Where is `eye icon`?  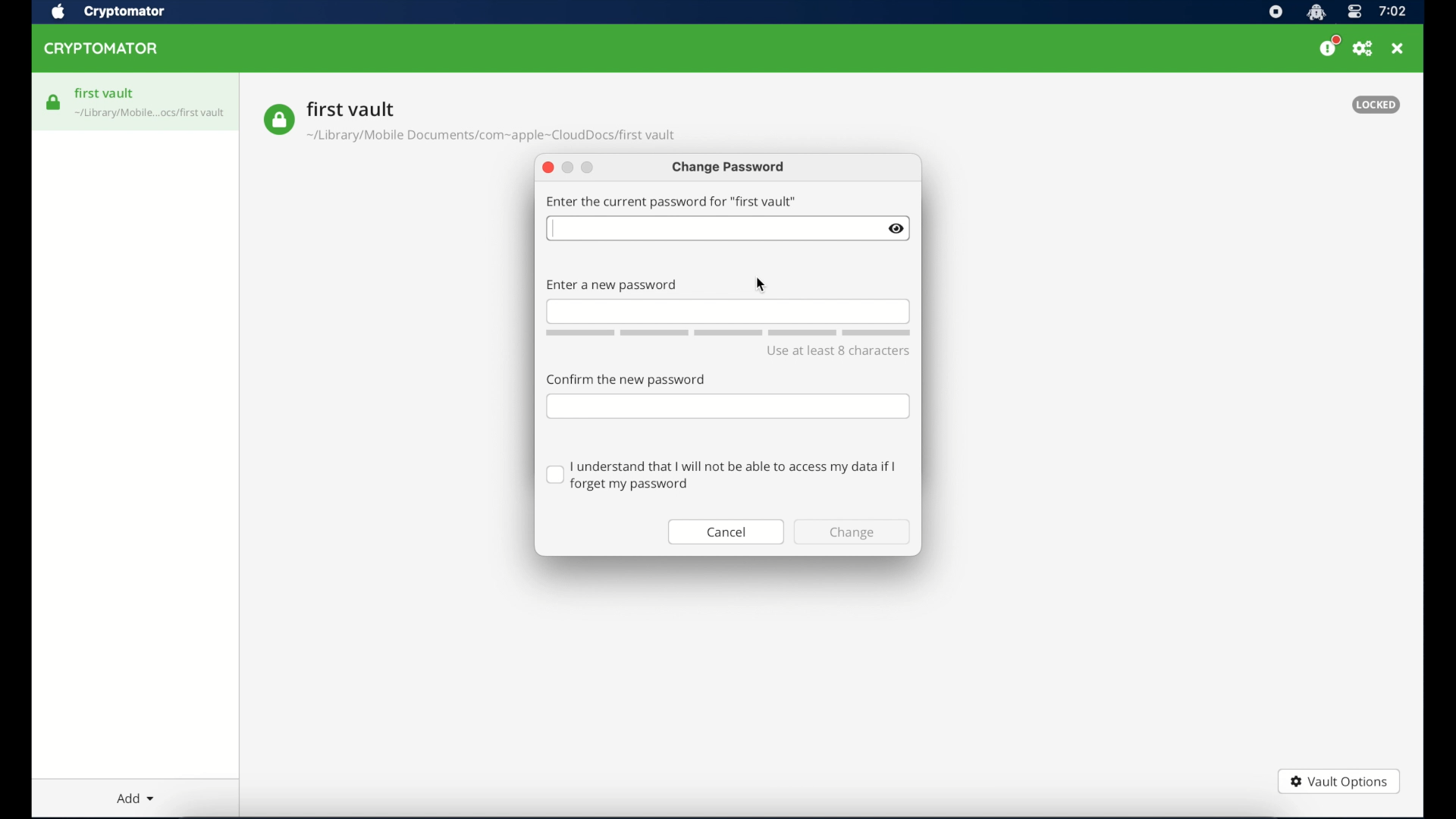 eye icon is located at coordinates (896, 229).